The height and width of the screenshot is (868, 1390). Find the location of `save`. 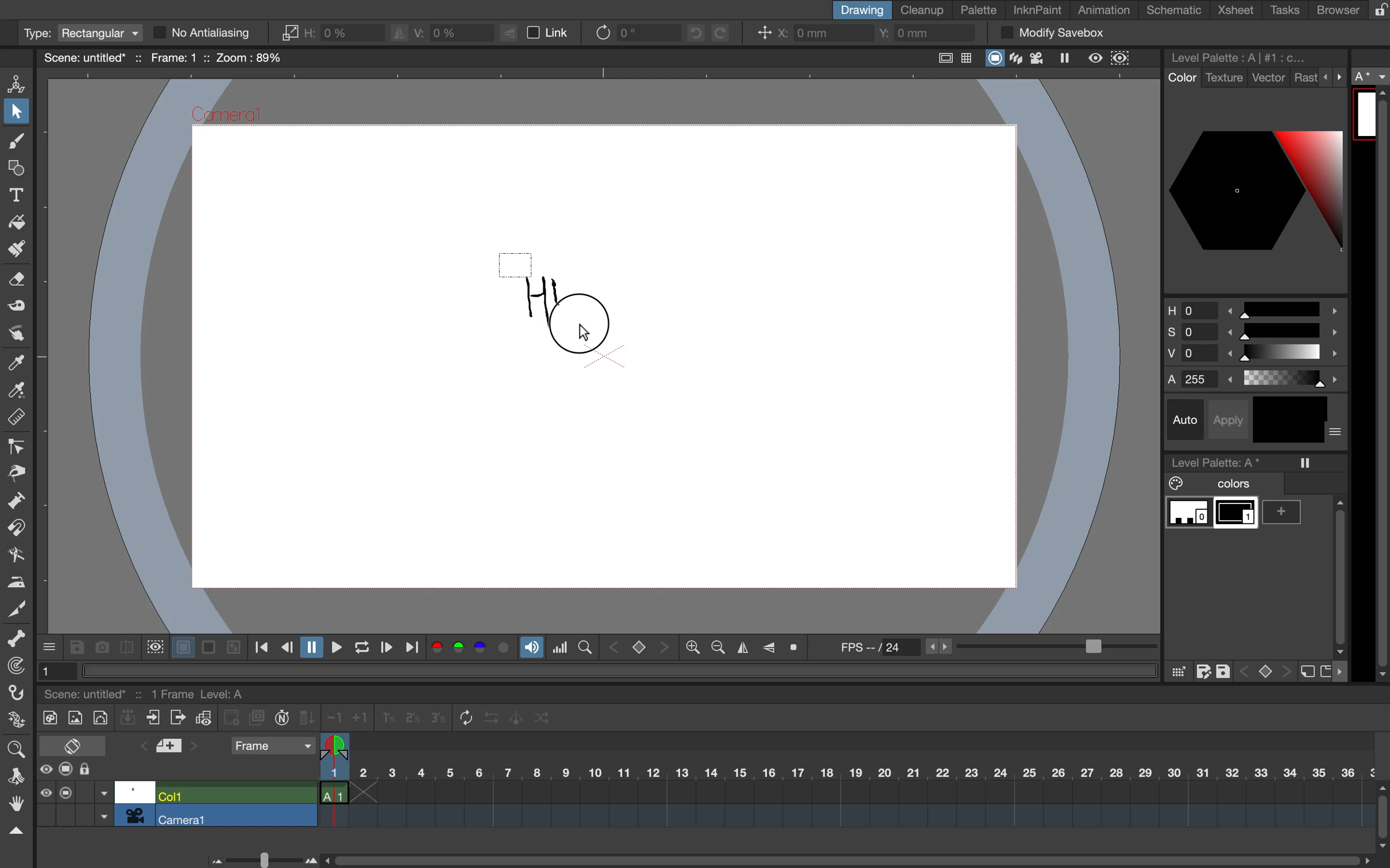

save is located at coordinates (76, 648).